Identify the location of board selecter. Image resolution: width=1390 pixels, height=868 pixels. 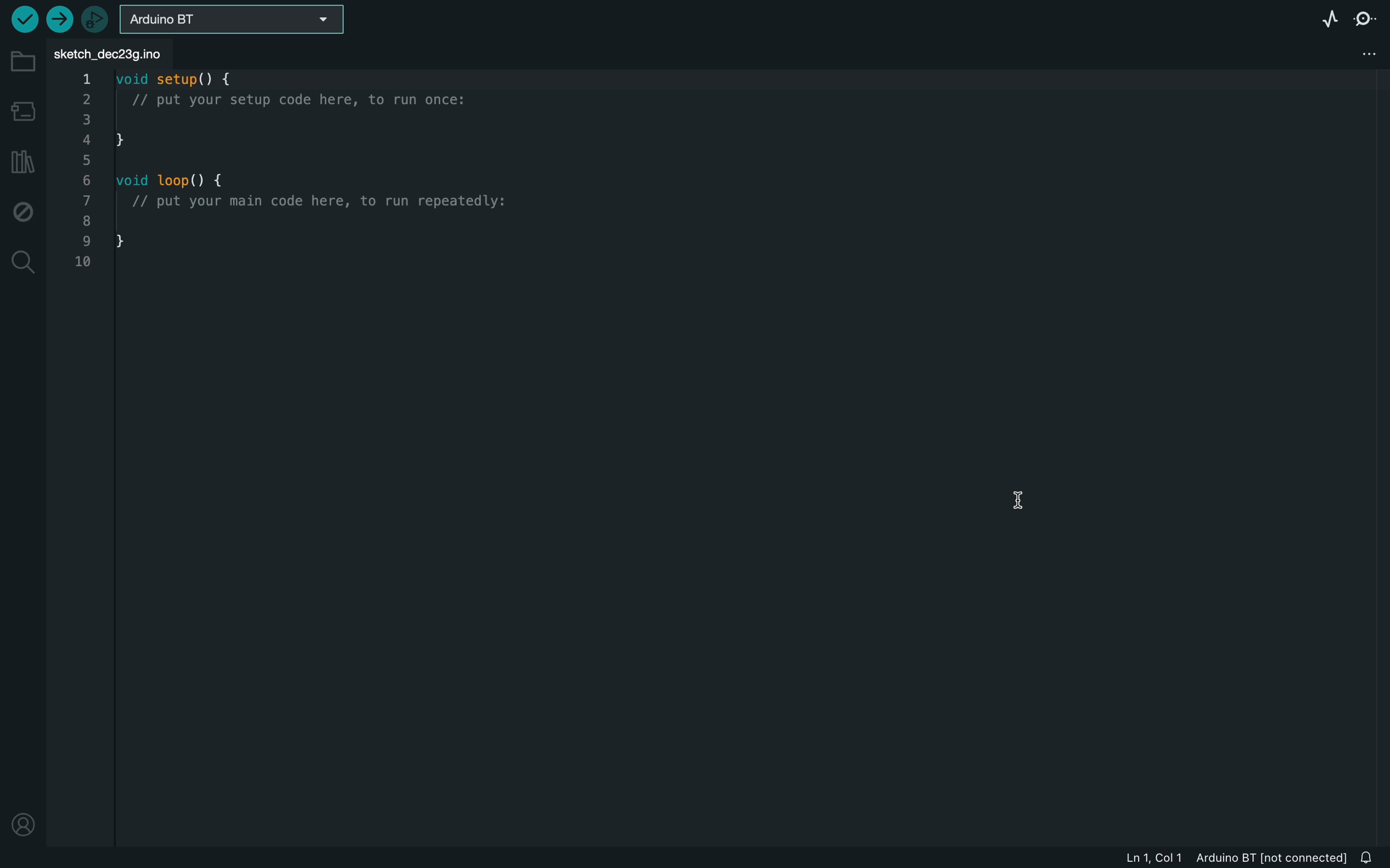
(232, 20).